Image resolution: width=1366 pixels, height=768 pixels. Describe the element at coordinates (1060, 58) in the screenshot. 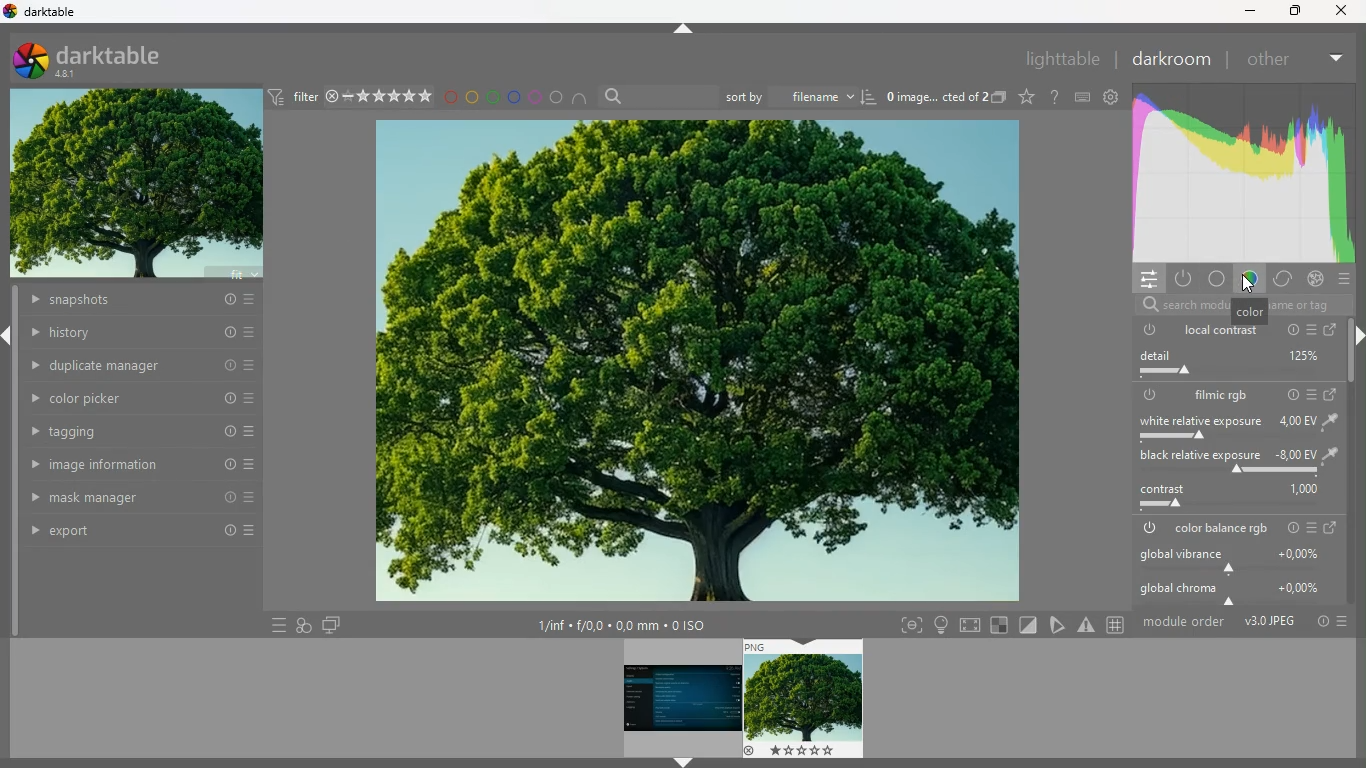

I see `lighttable` at that location.